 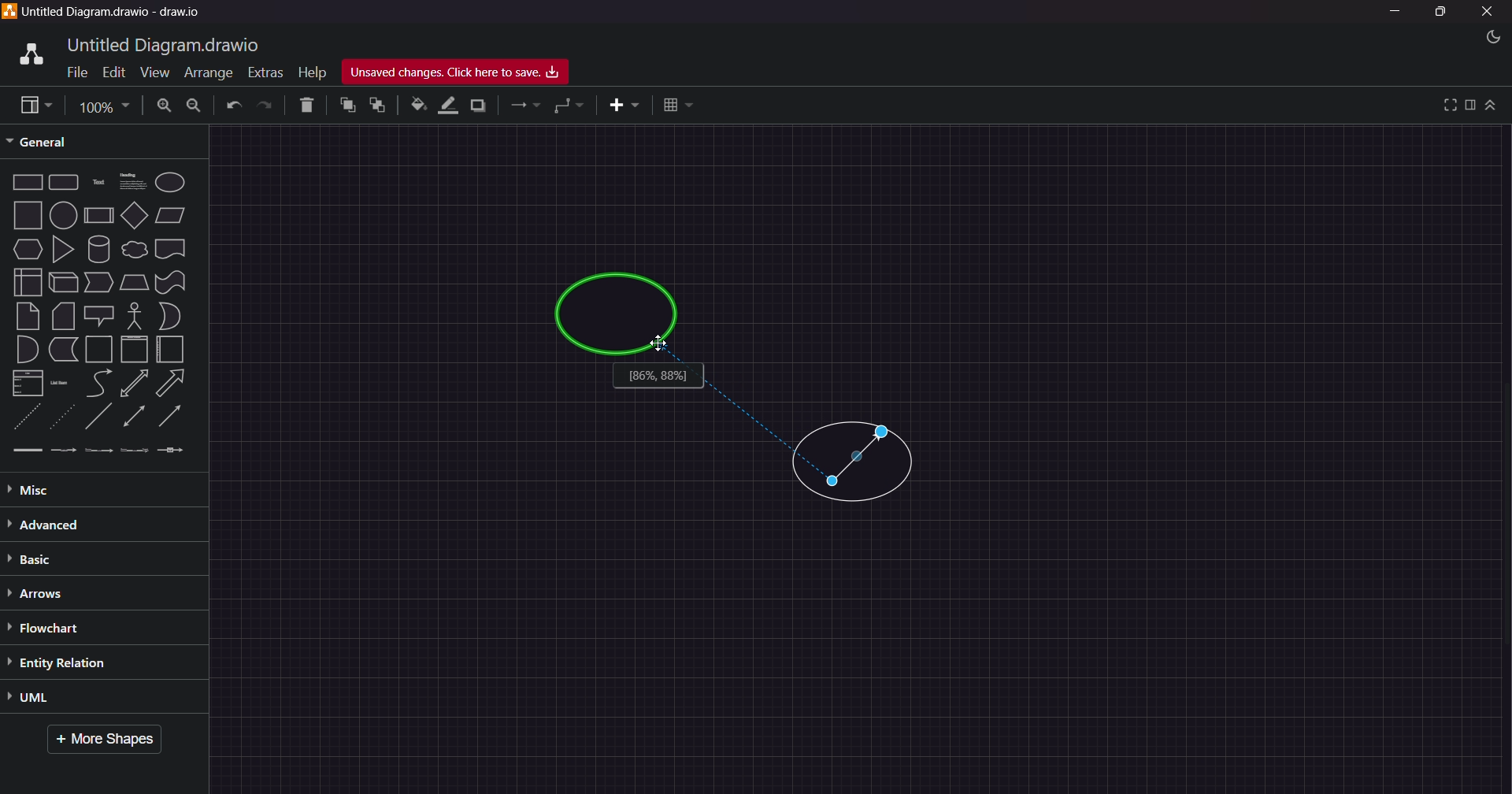 What do you see at coordinates (1470, 105) in the screenshot?
I see `format` at bounding box center [1470, 105].